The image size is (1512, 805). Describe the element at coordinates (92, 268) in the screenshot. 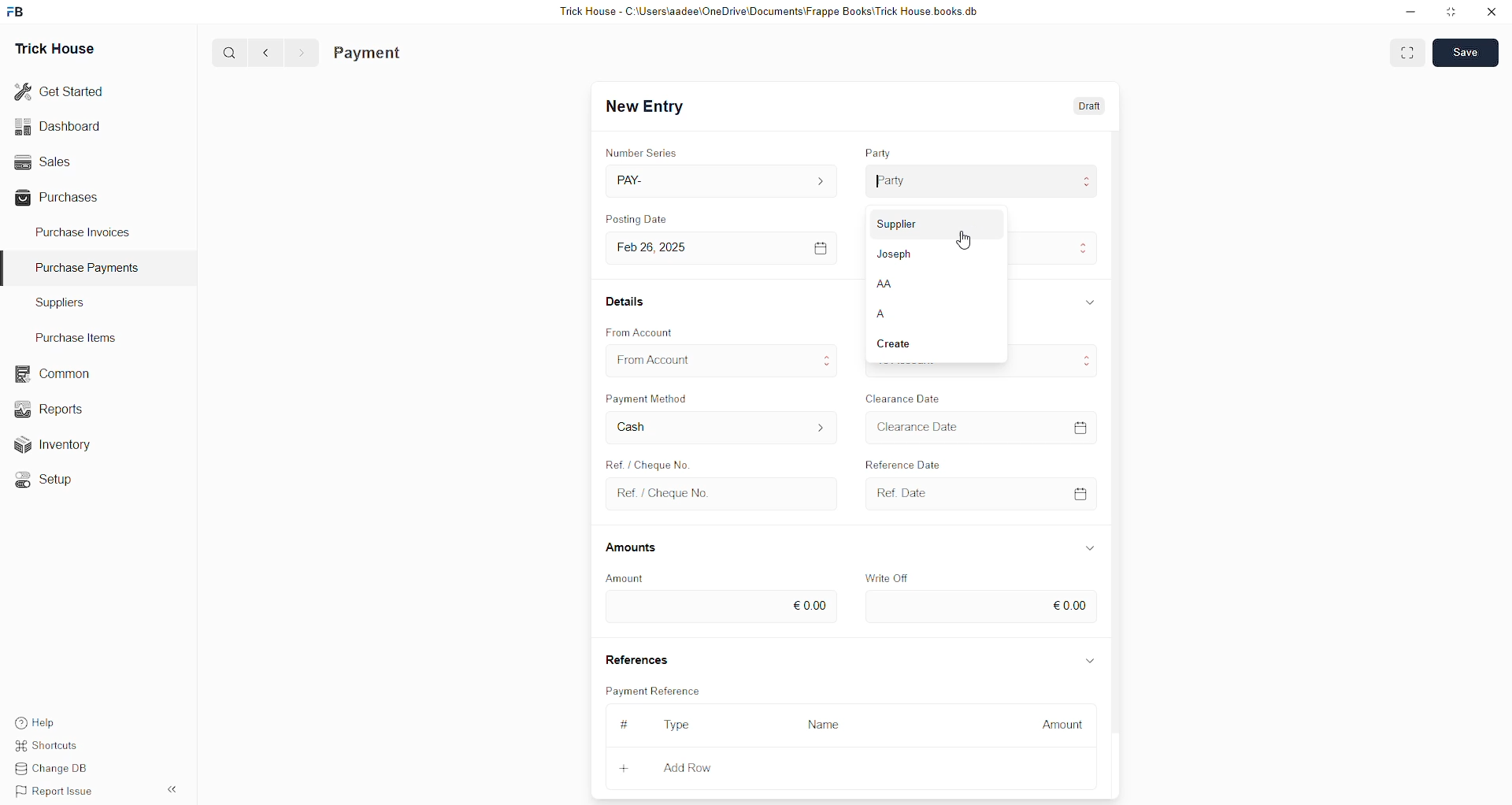

I see `Purchase Payments` at that location.